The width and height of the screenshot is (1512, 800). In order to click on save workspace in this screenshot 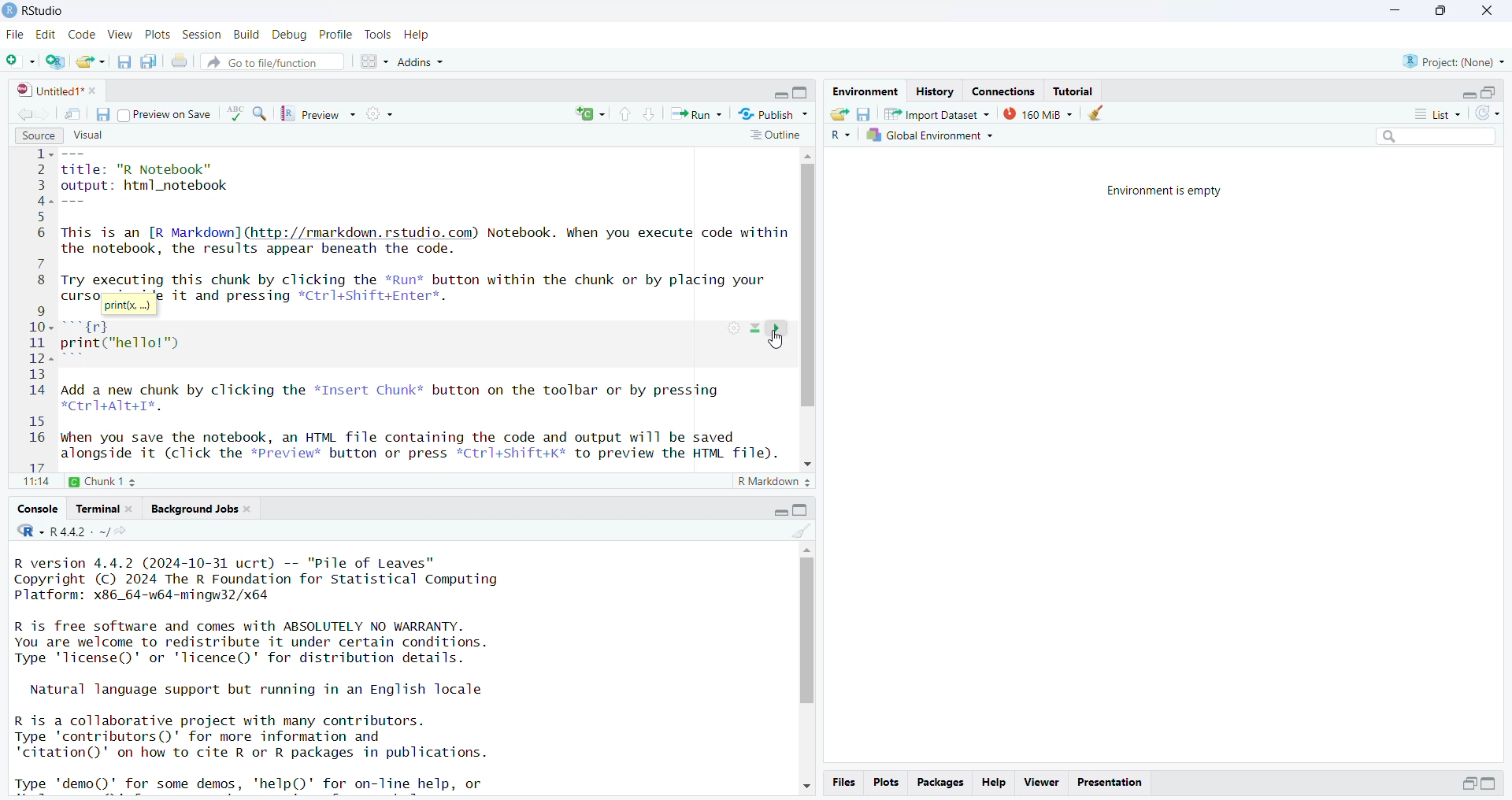, I will do `click(864, 113)`.